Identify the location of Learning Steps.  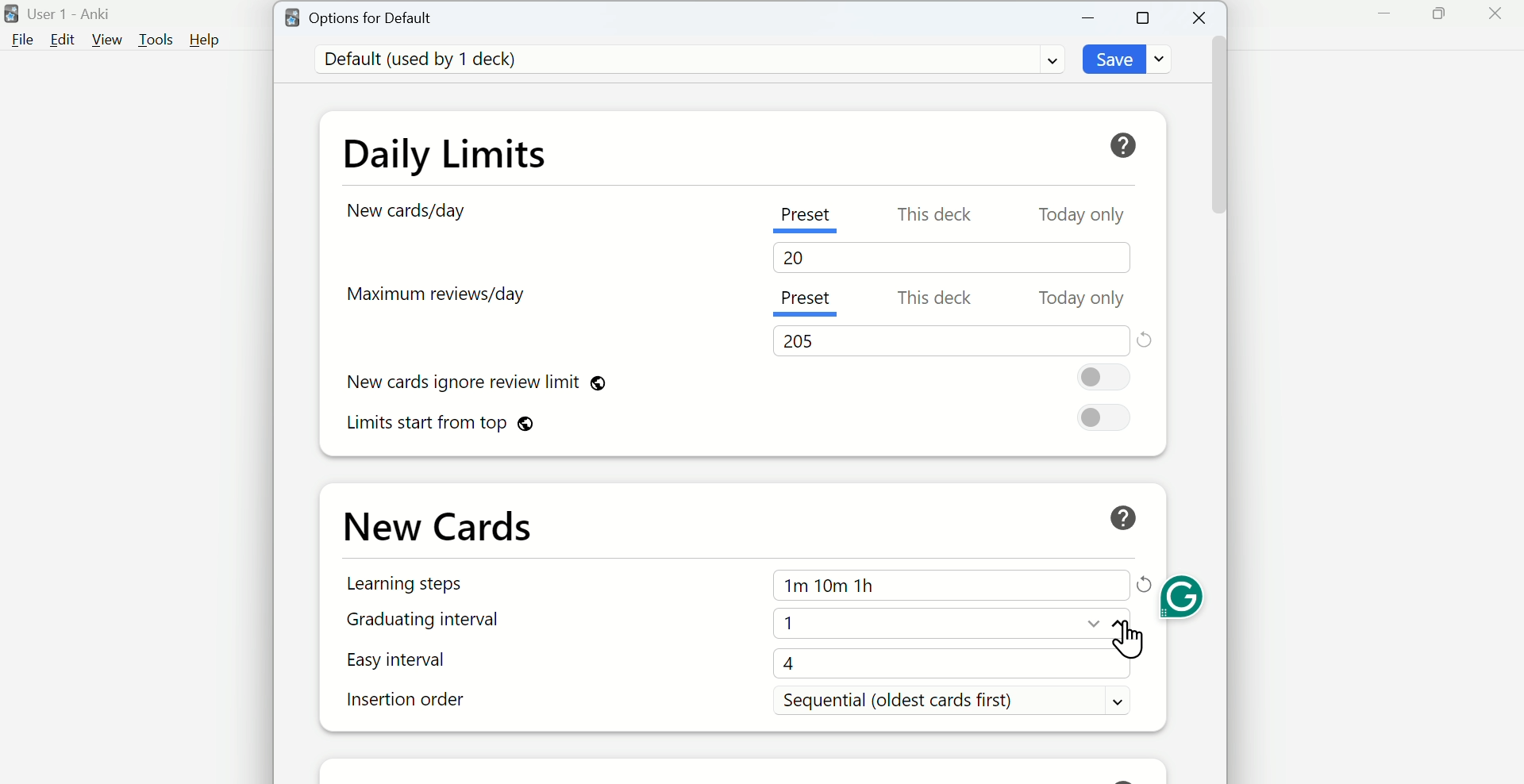
(407, 587).